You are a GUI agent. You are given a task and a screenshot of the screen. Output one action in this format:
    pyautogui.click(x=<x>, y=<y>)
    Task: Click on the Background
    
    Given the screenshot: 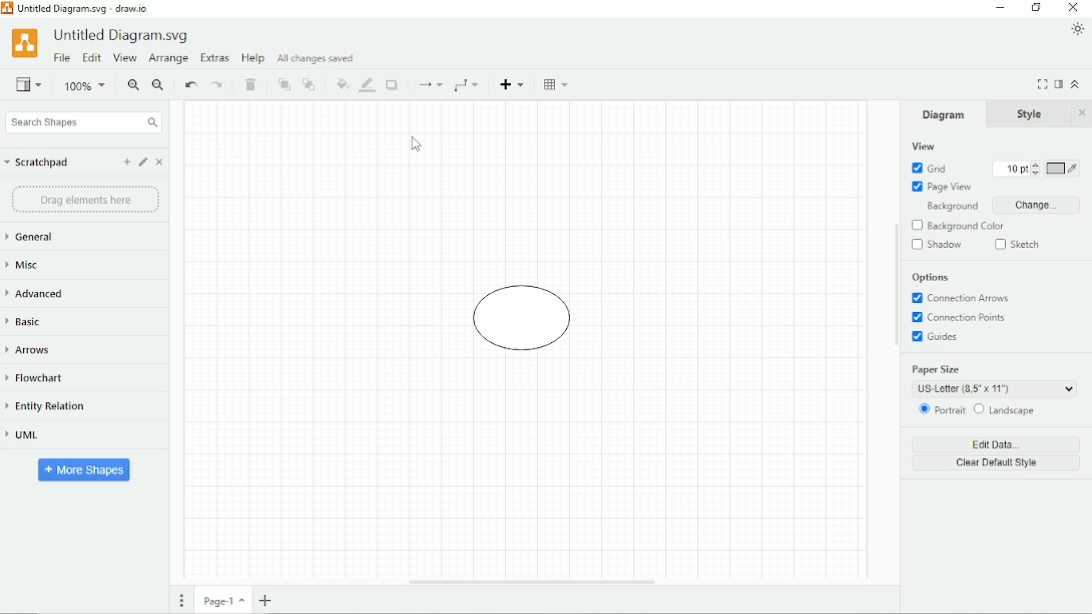 What is the action you would take?
    pyautogui.click(x=952, y=206)
    